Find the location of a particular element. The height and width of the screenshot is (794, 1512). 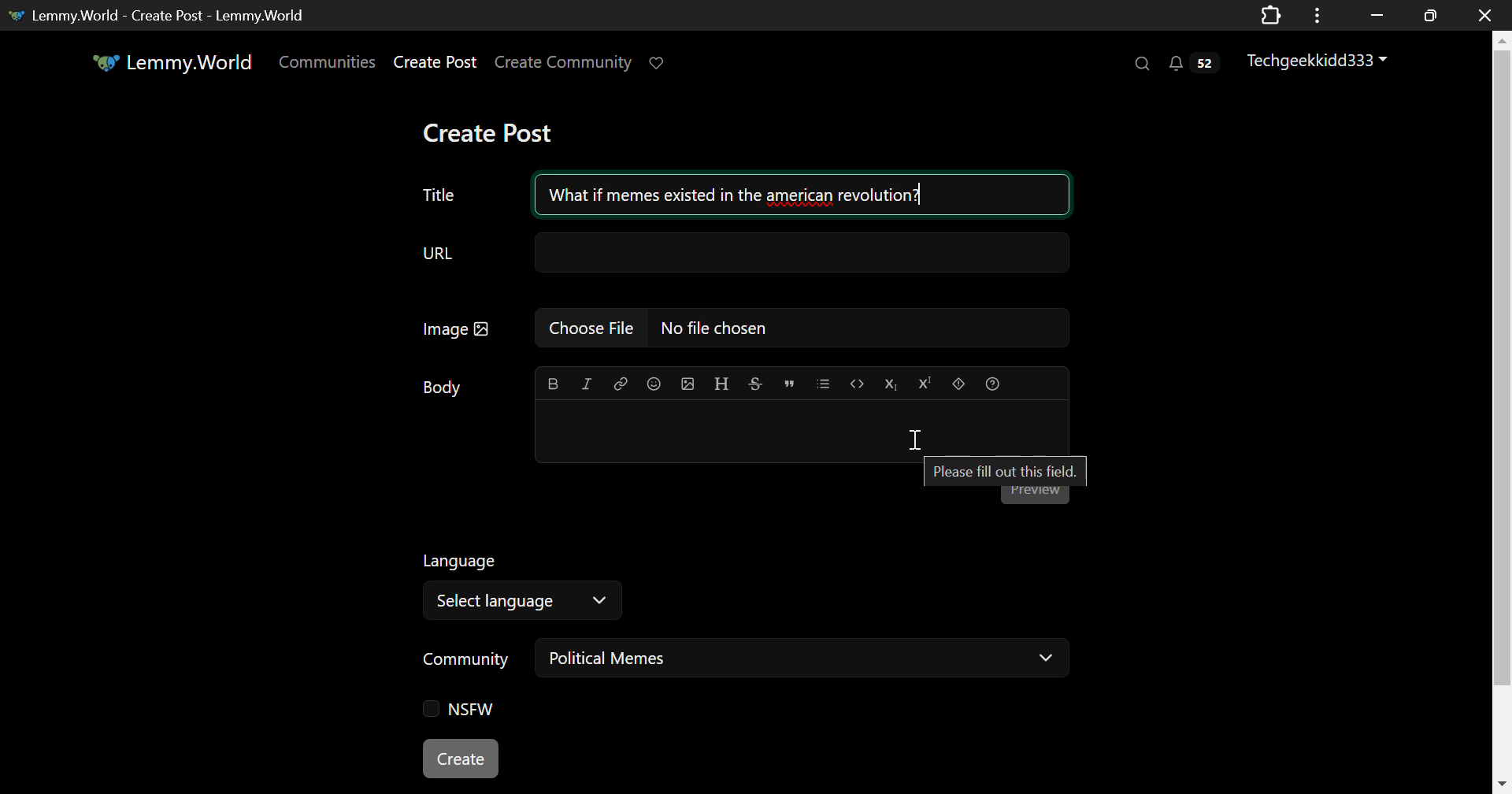

Code is located at coordinates (857, 383).